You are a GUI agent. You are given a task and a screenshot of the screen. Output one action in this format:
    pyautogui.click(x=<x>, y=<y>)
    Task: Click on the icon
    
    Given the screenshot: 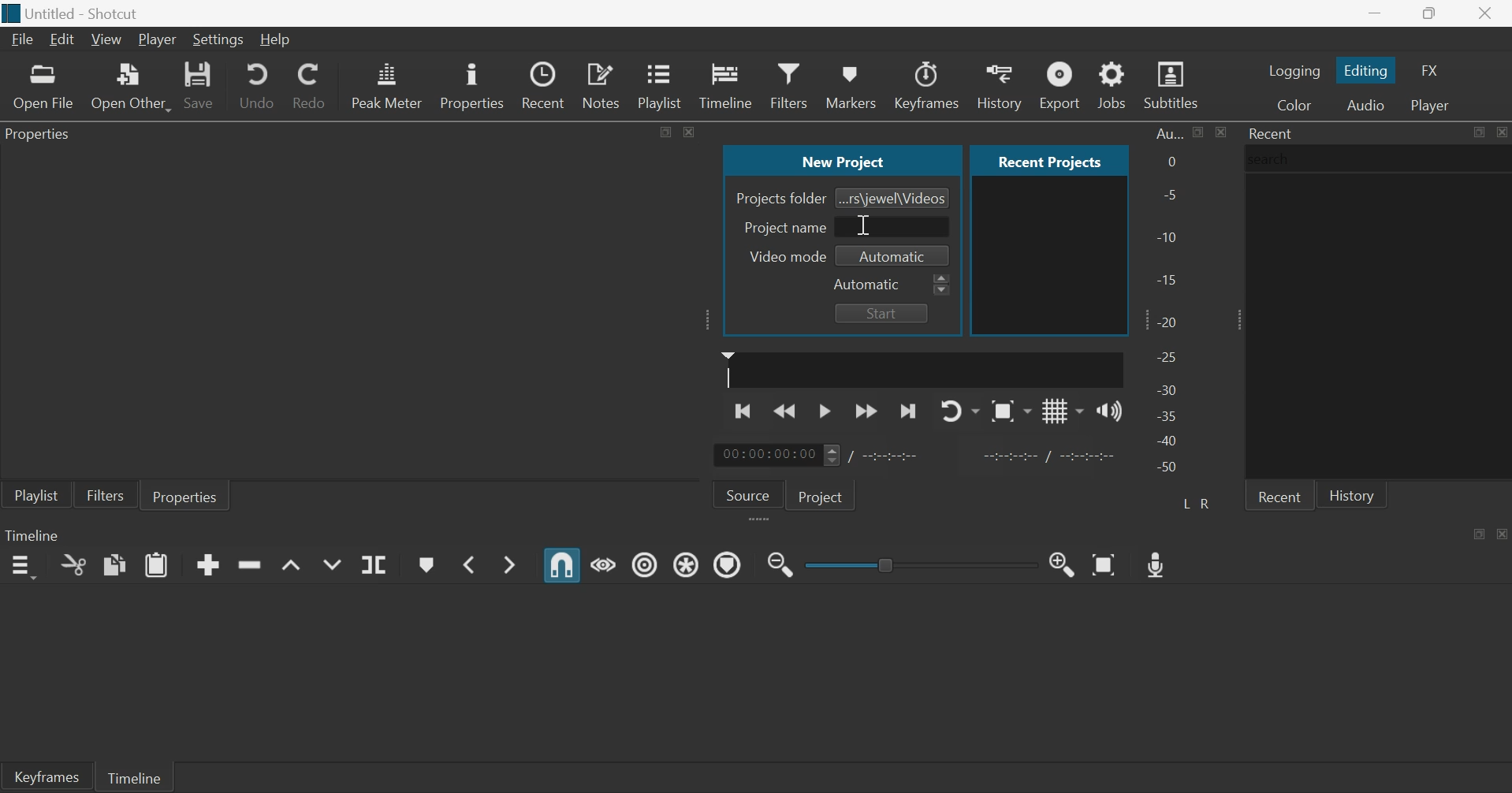 What is the action you would take?
    pyautogui.click(x=13, y=10)
    